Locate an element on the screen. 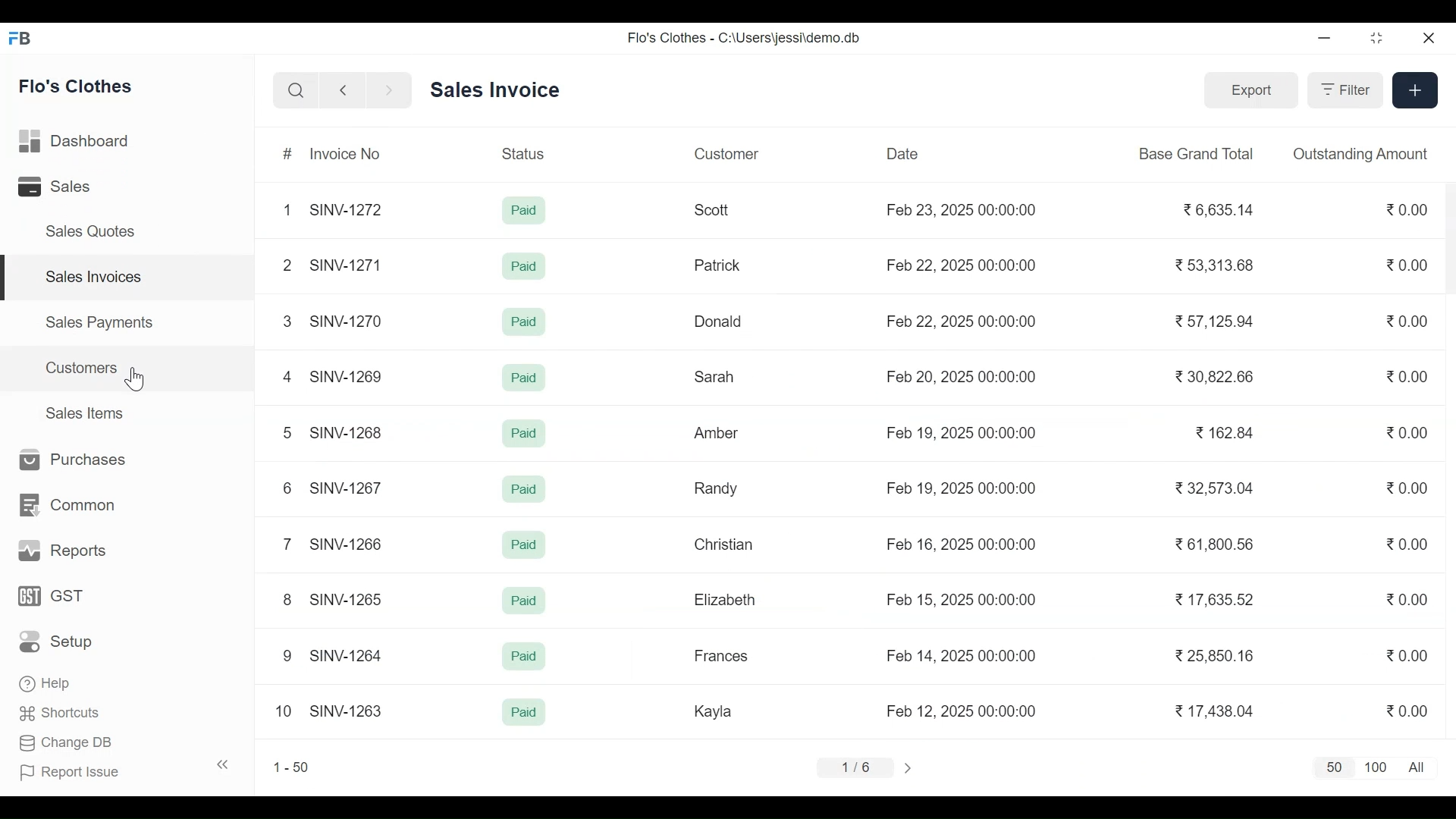 The image size is (1456, 819). 5 is located at coordinates (288, 432).